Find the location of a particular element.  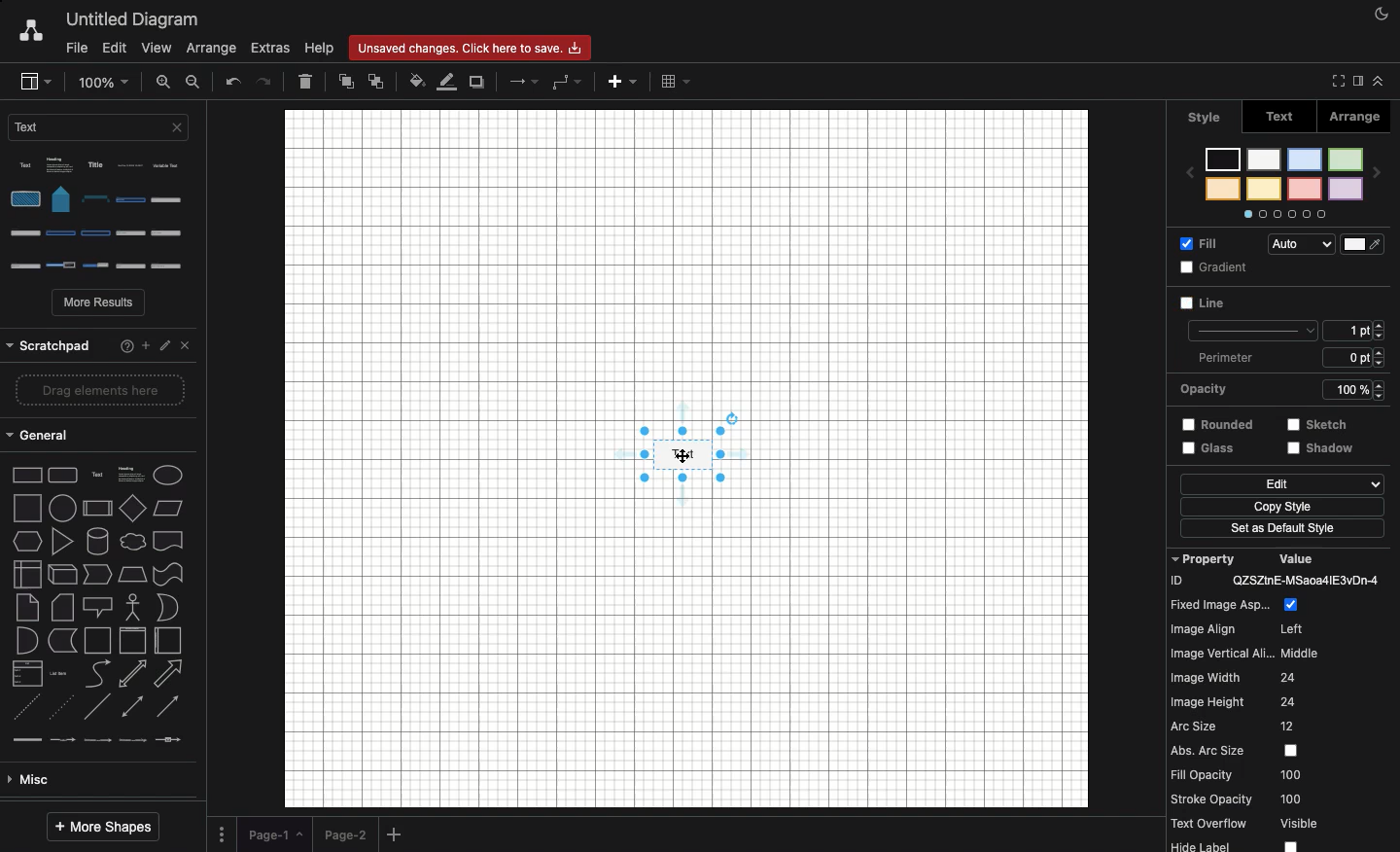

Add is located at coordinates (397, 835).